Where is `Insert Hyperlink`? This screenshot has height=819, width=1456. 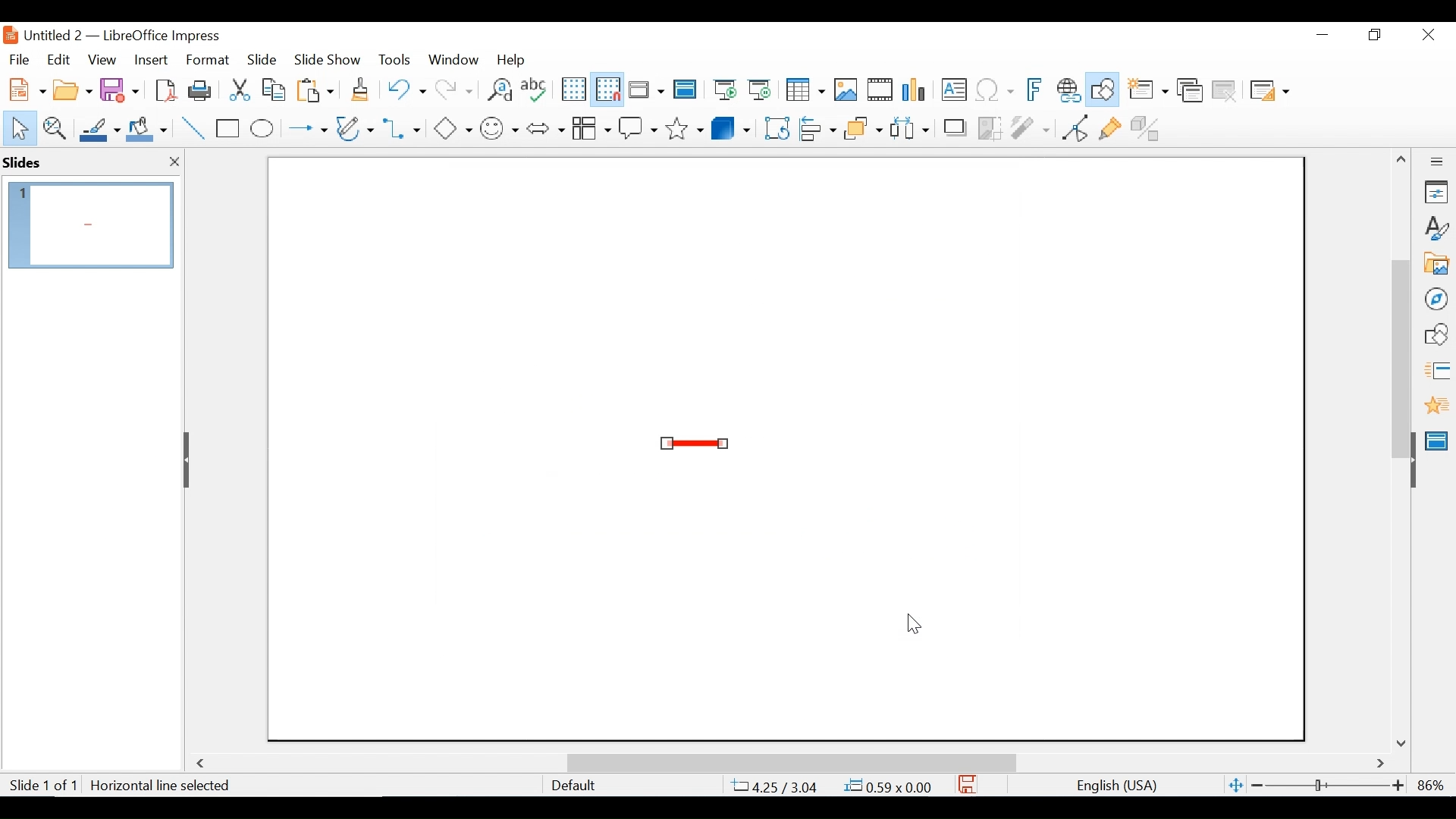 Insert Hyperlink is located at coordinates (1068, 90).